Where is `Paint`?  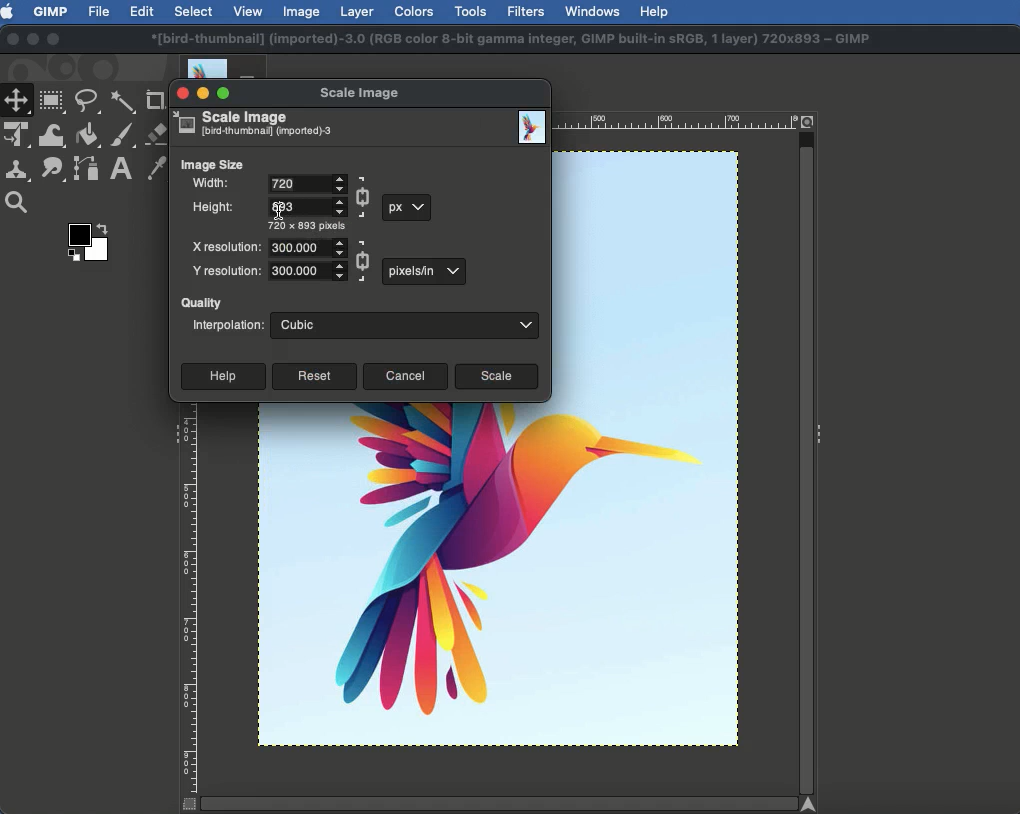 Paint is located at coordinates (124, 136).